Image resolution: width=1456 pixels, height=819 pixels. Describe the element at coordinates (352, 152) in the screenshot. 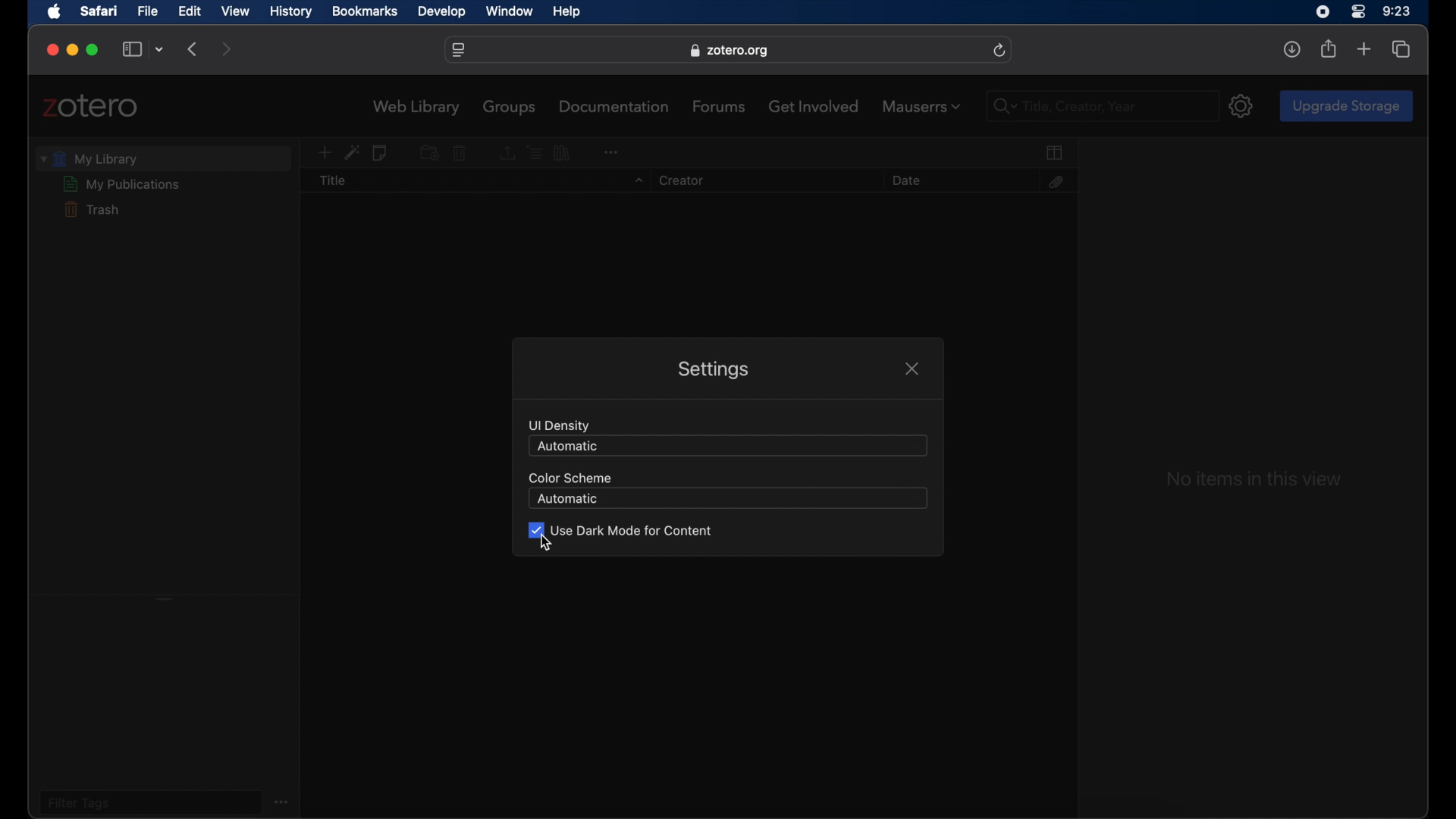

I see `add by identifier` at that location.